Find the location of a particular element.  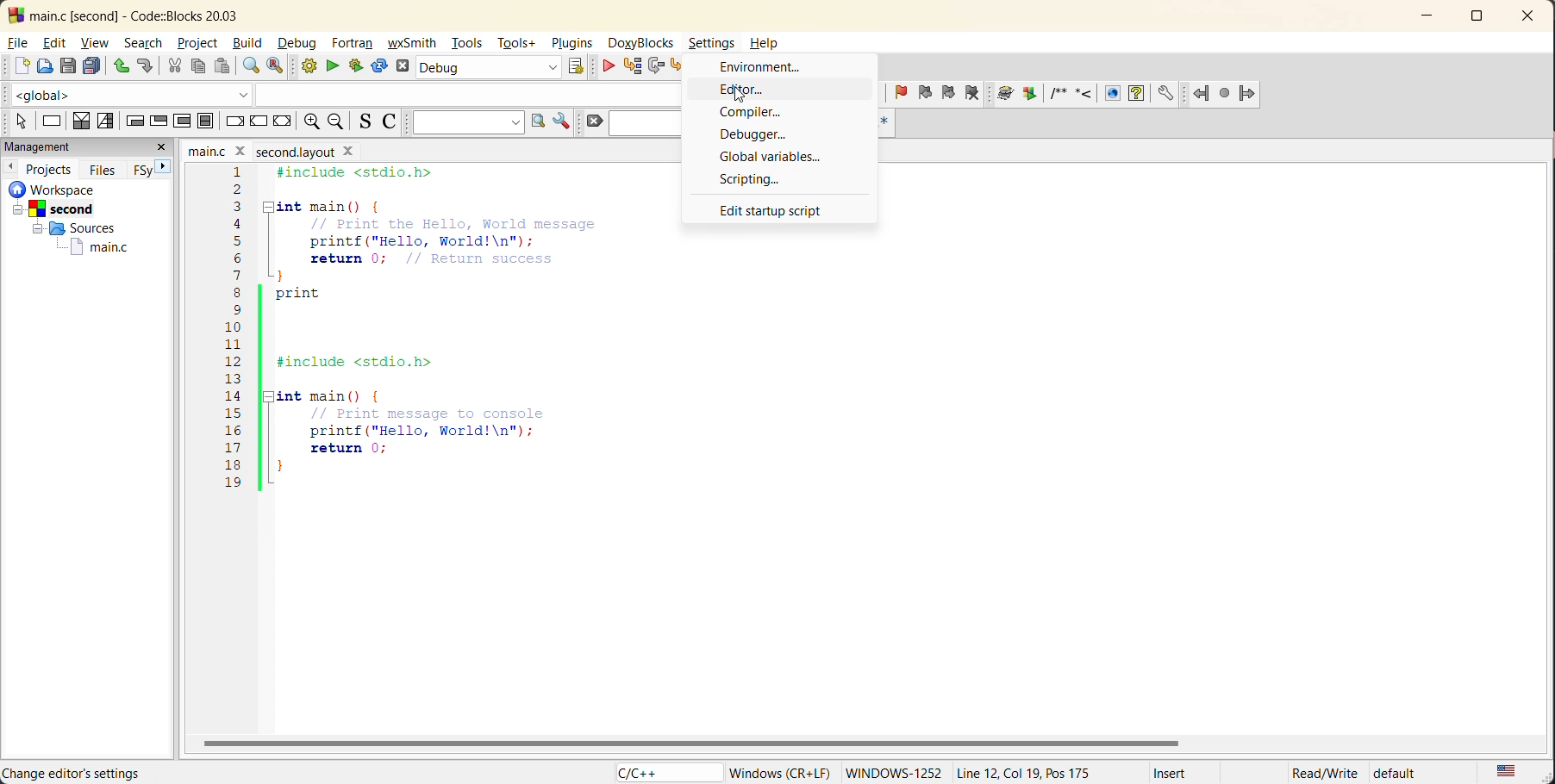

run to cursor is located at coordinates (634, 70).